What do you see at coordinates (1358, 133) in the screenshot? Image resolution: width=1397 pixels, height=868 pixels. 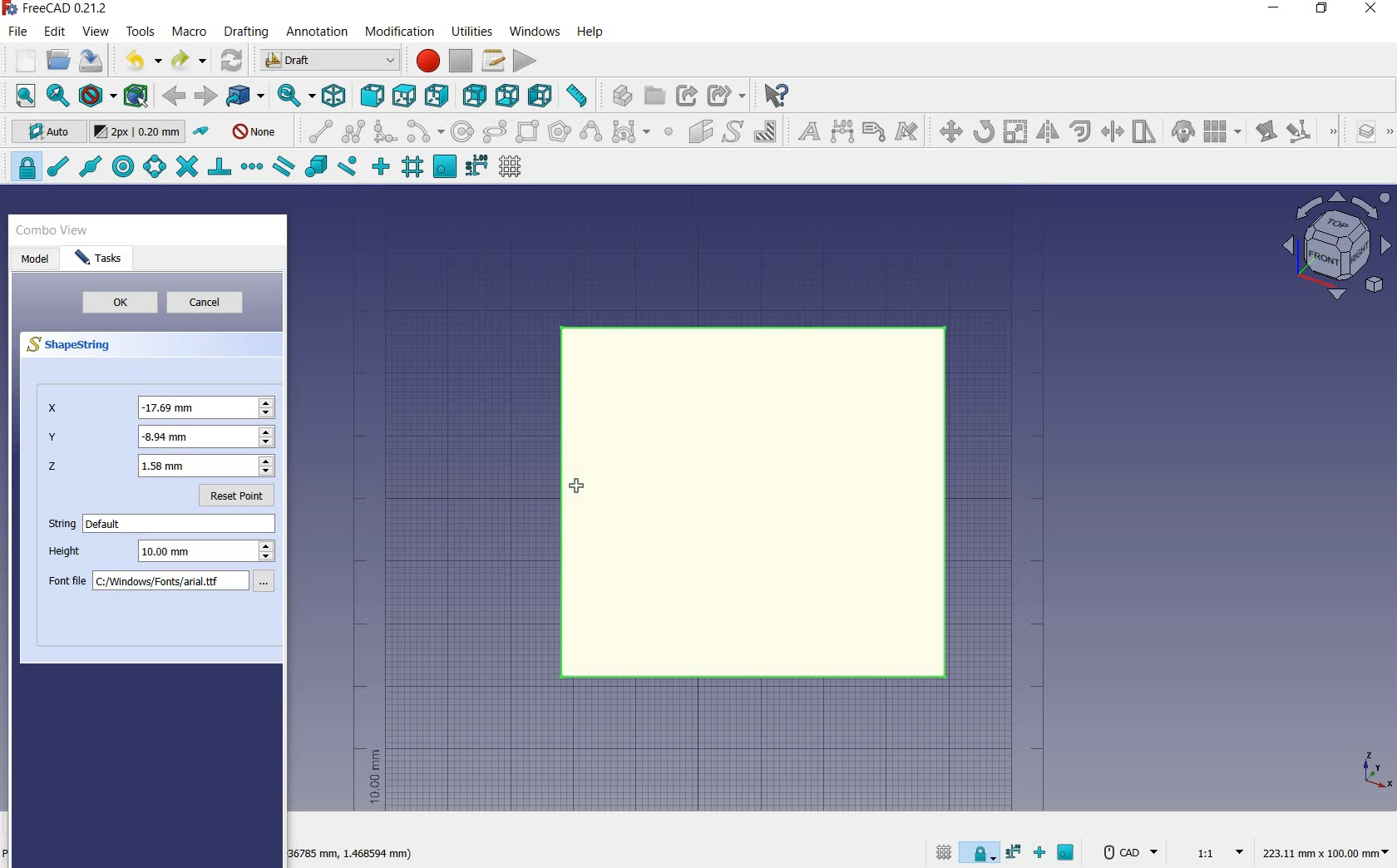 I see `manage layers` at bounding box center [1358, 133].